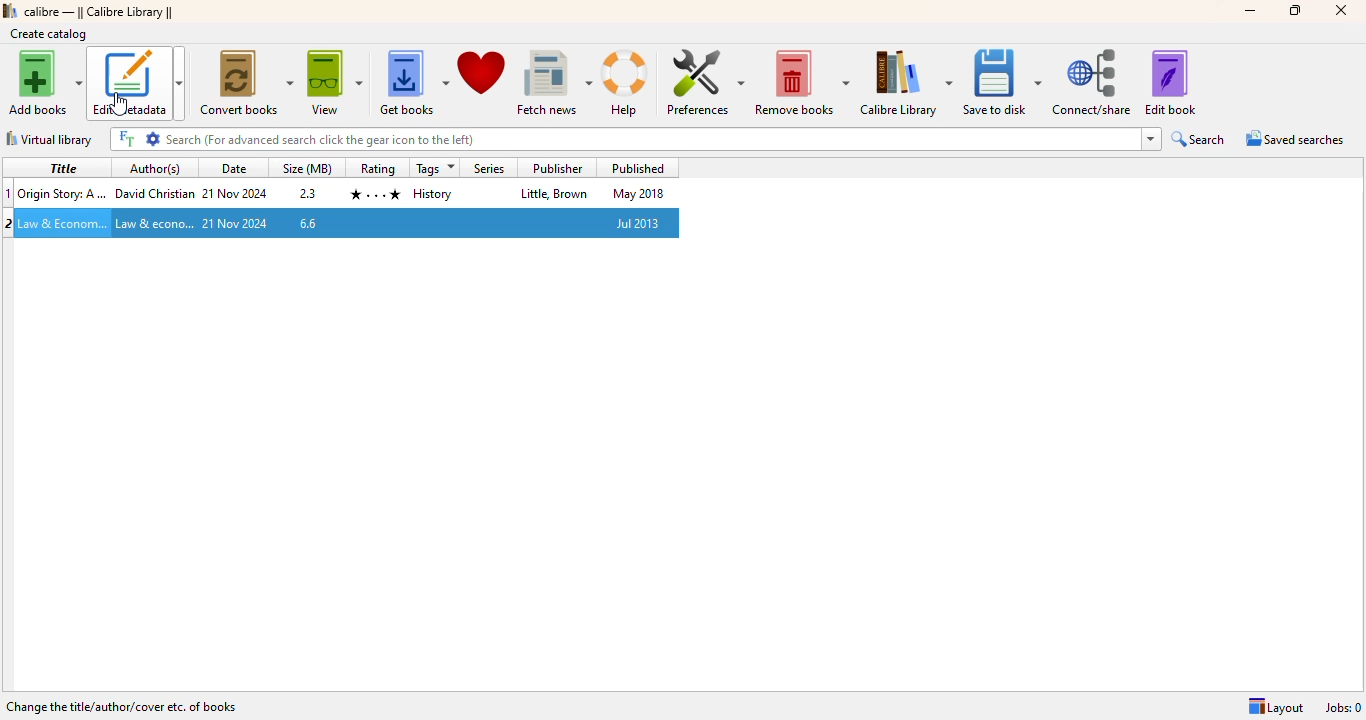 Image resolution: width=1366 pixels, height=720 pixels. What do you see at coordinates (236, 194) in the screenshot?
I see `date` at bounding box center [236, 194].